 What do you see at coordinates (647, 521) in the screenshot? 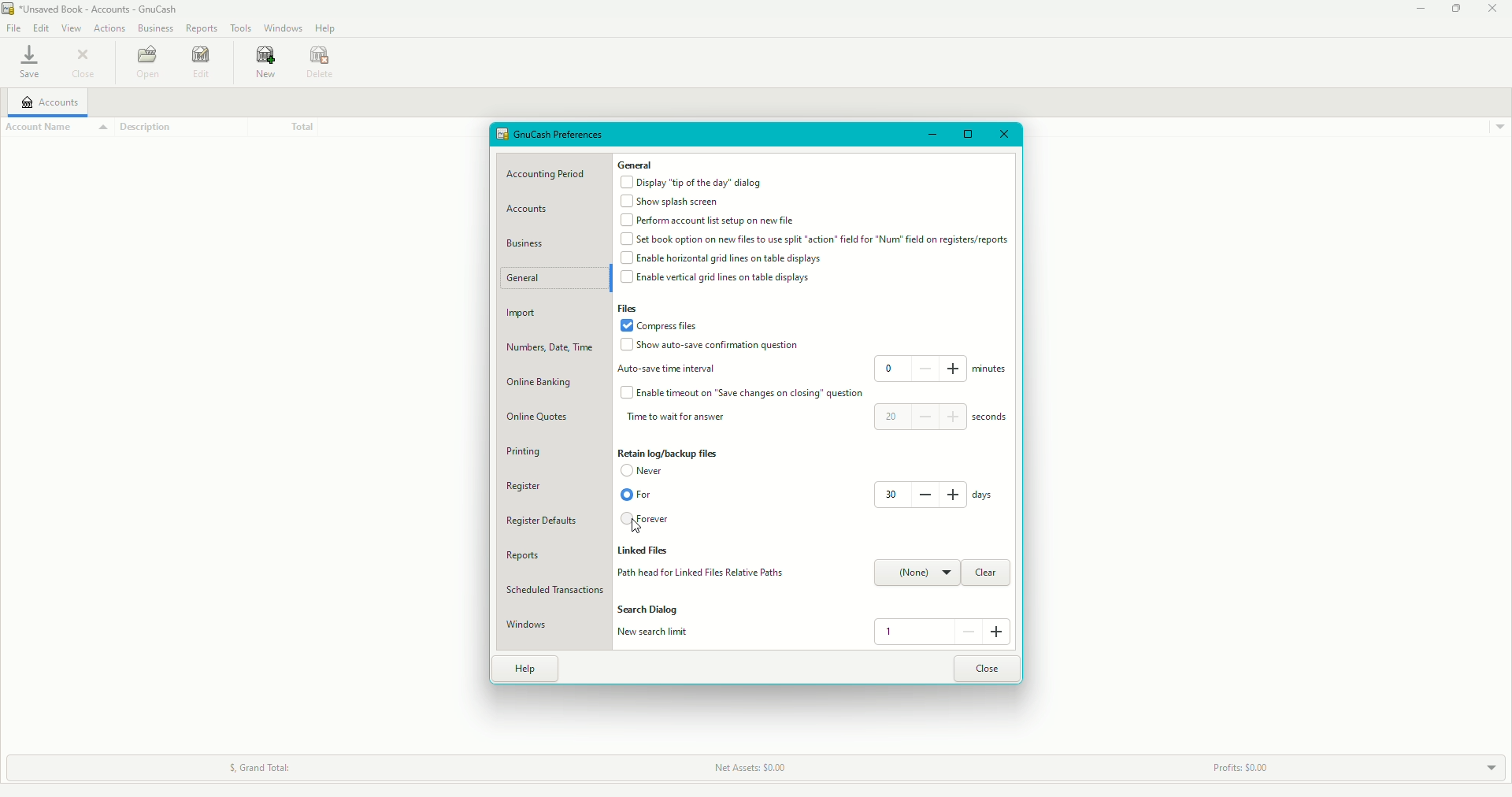
I see `Forever` at bounding box center [647, 521].